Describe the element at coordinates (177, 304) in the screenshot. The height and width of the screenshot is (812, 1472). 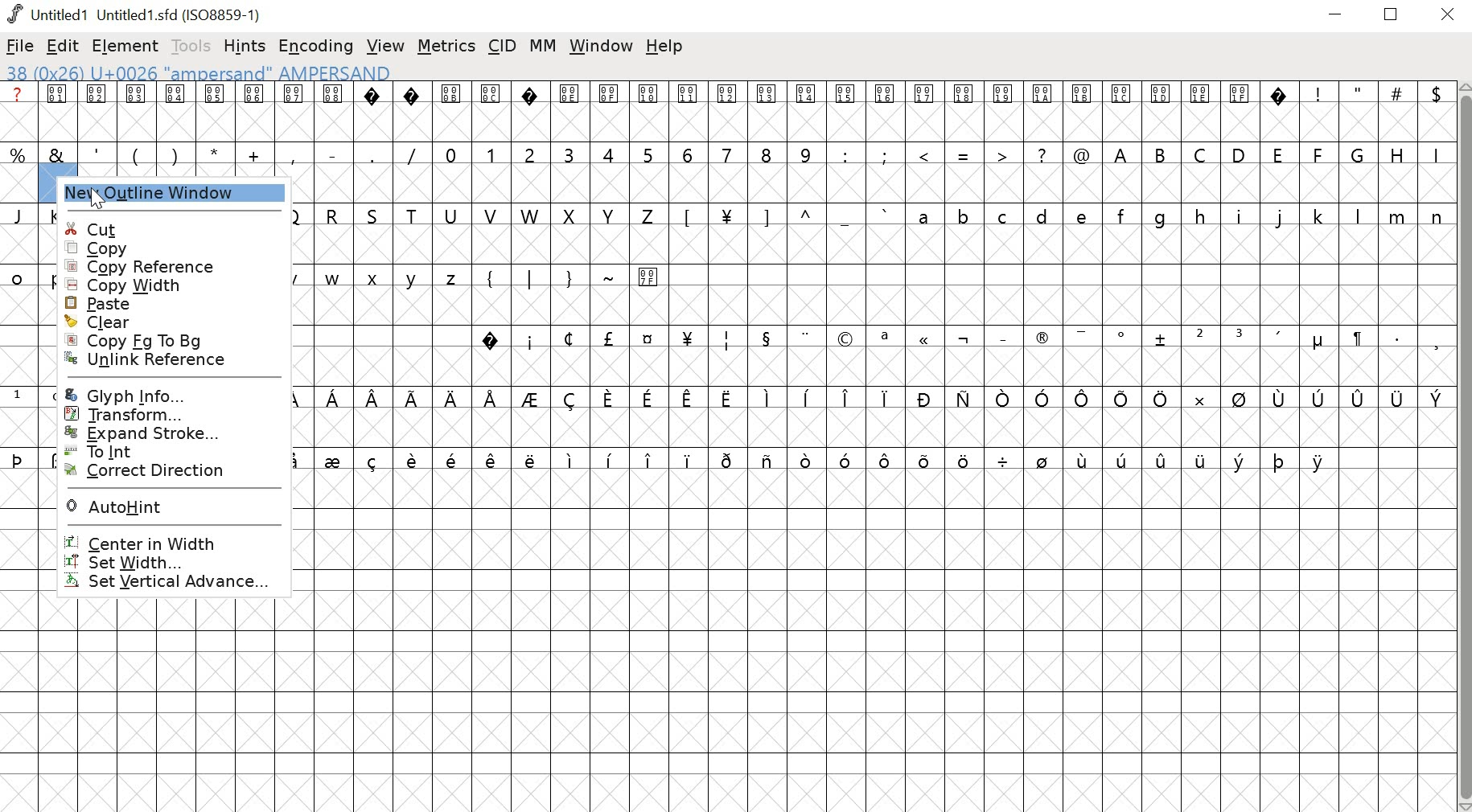
I see `paste` at that location.